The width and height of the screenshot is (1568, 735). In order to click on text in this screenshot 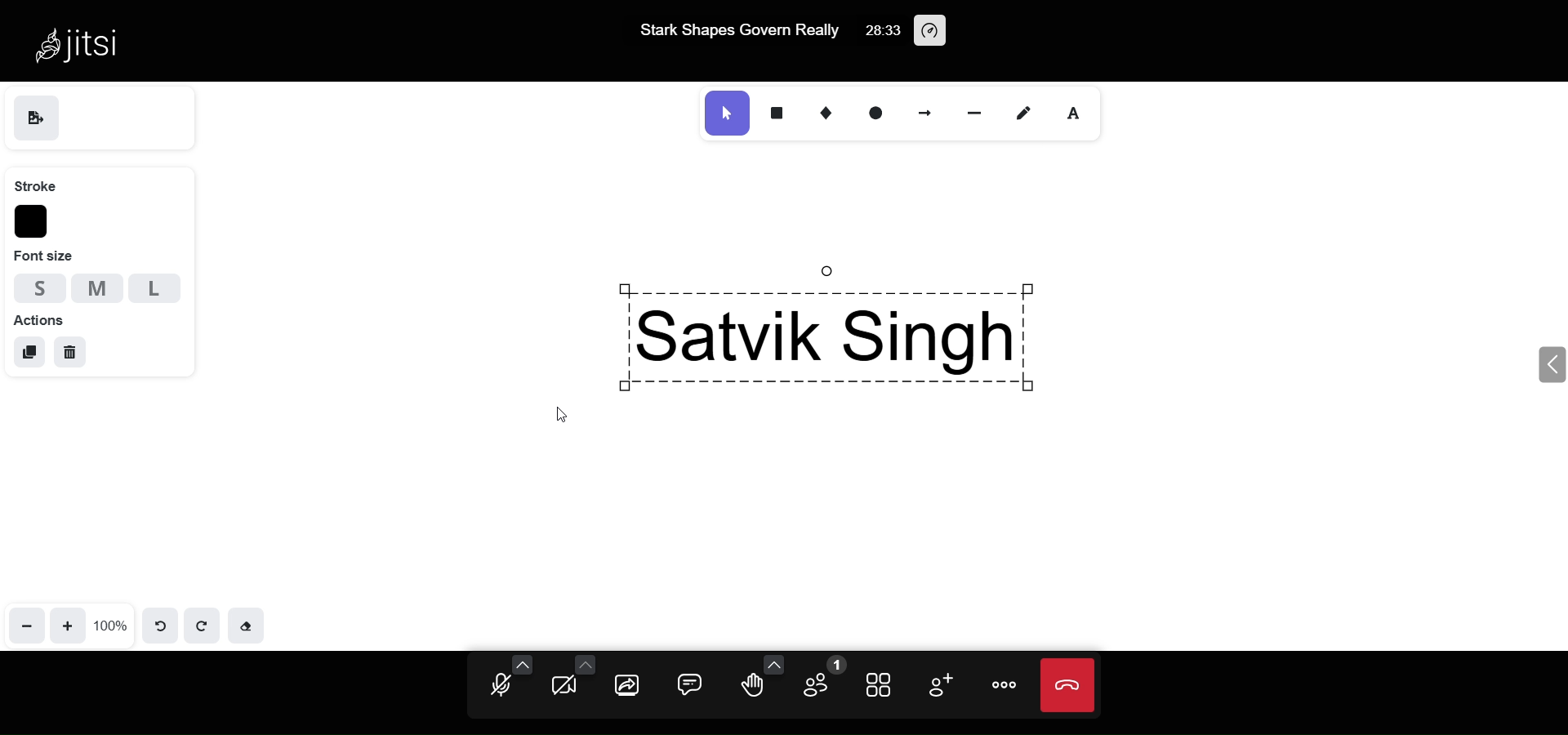, I will do `click(1073, 111)`.